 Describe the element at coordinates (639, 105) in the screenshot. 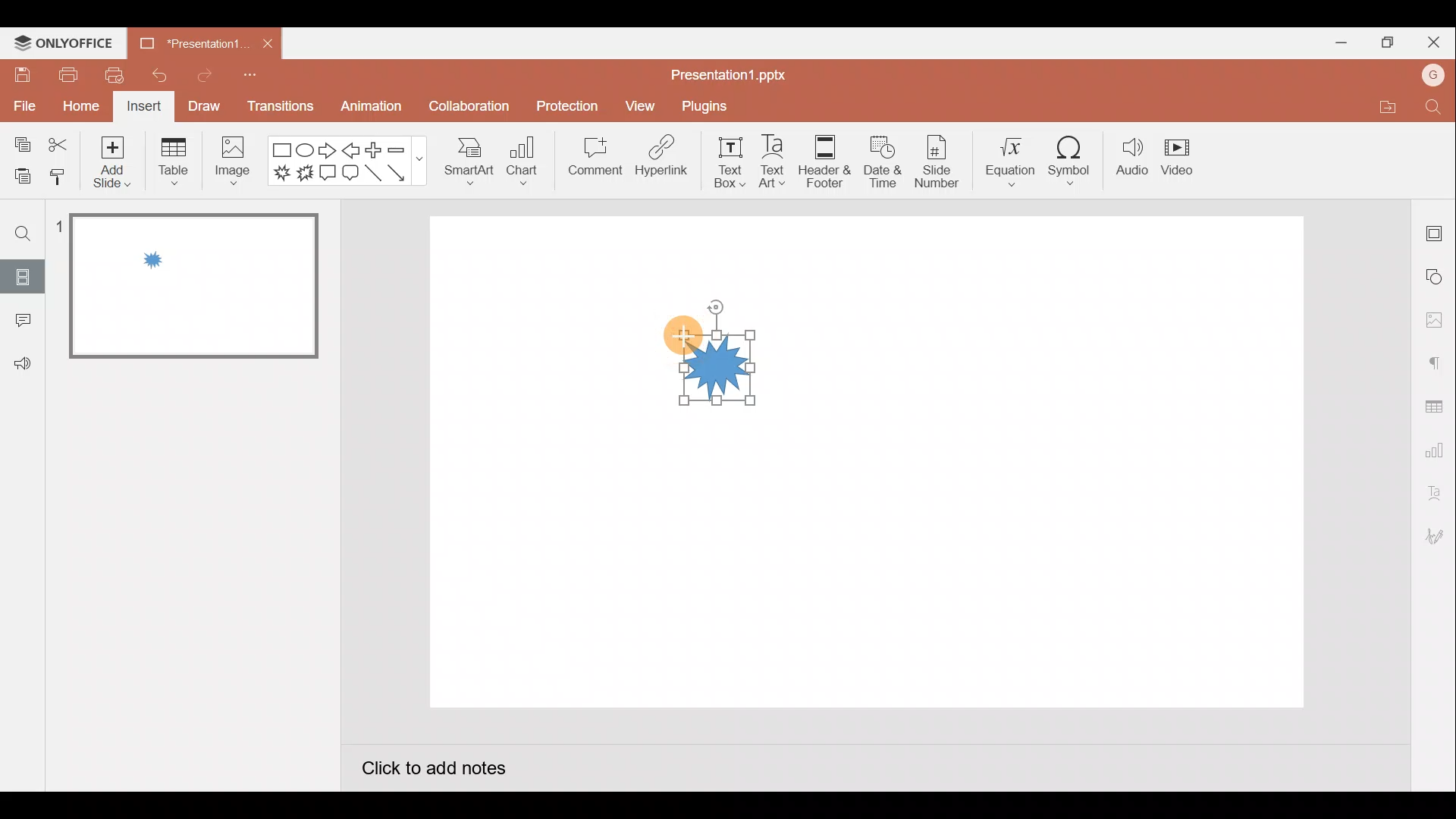

I see `View` at that location.